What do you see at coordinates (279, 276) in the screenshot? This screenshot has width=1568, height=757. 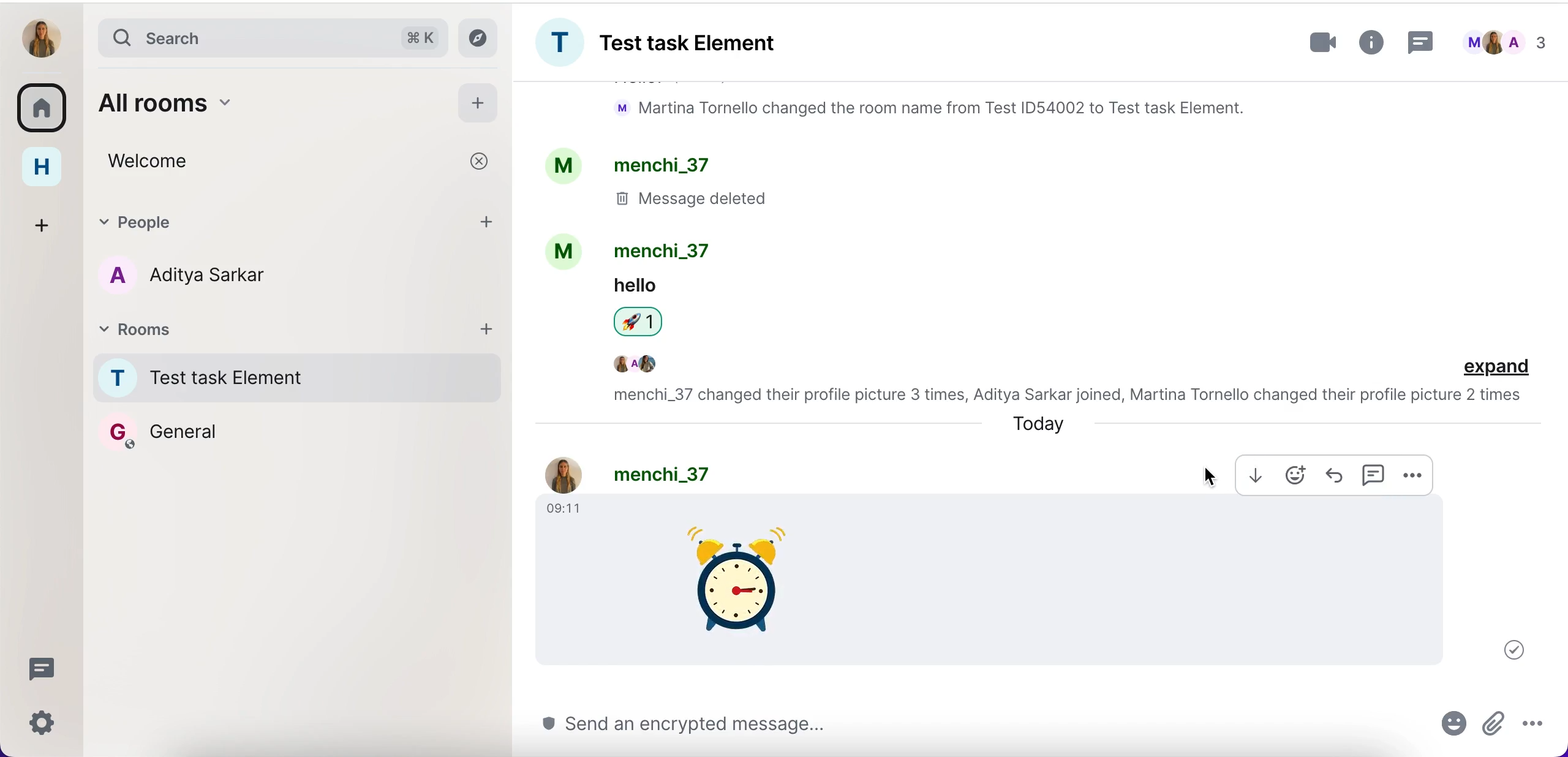 I see `chat member` at bounding box center [279, 276].